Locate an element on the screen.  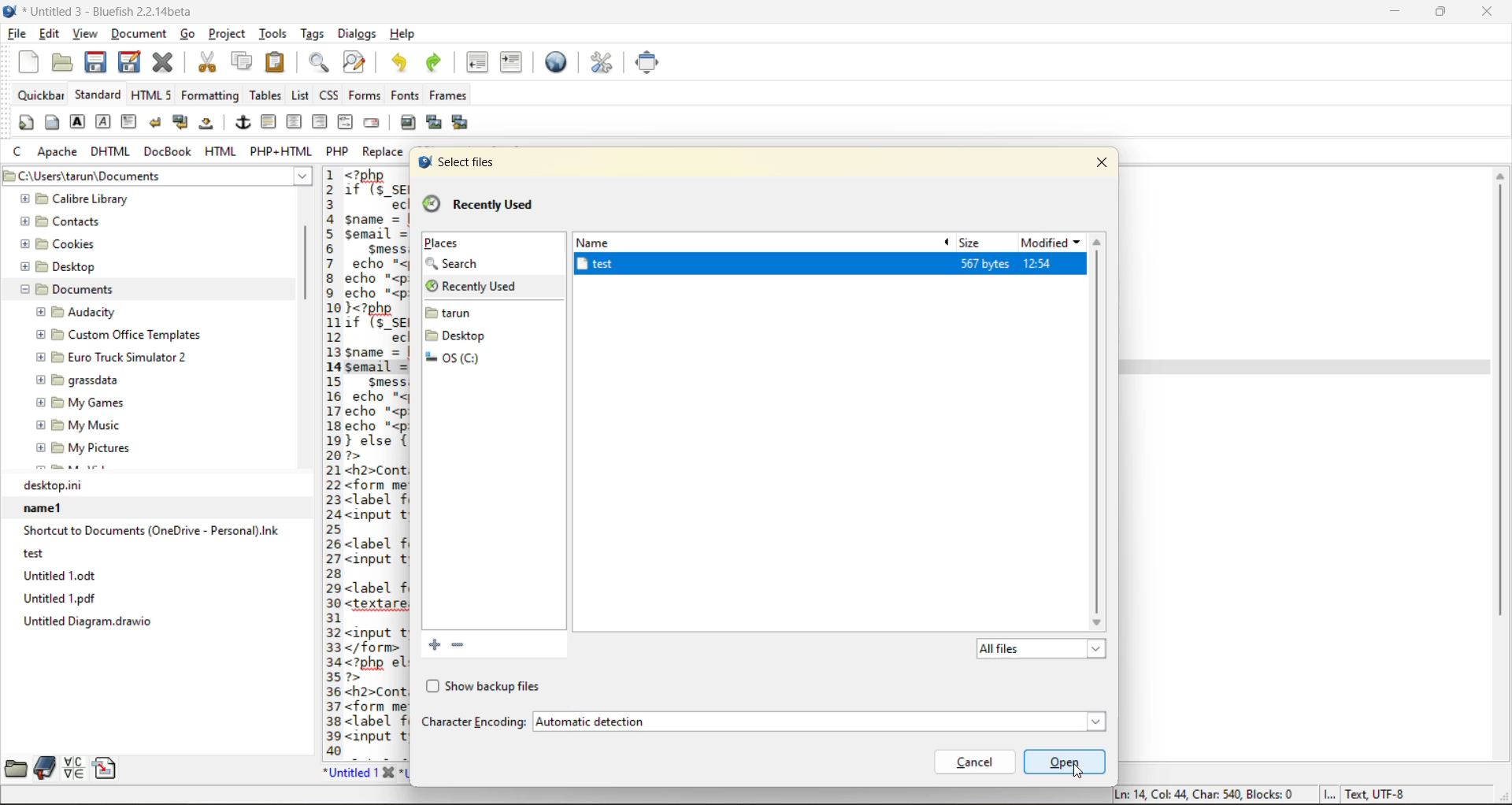
add current folder to bookmark is located at coordinates (432, 644).